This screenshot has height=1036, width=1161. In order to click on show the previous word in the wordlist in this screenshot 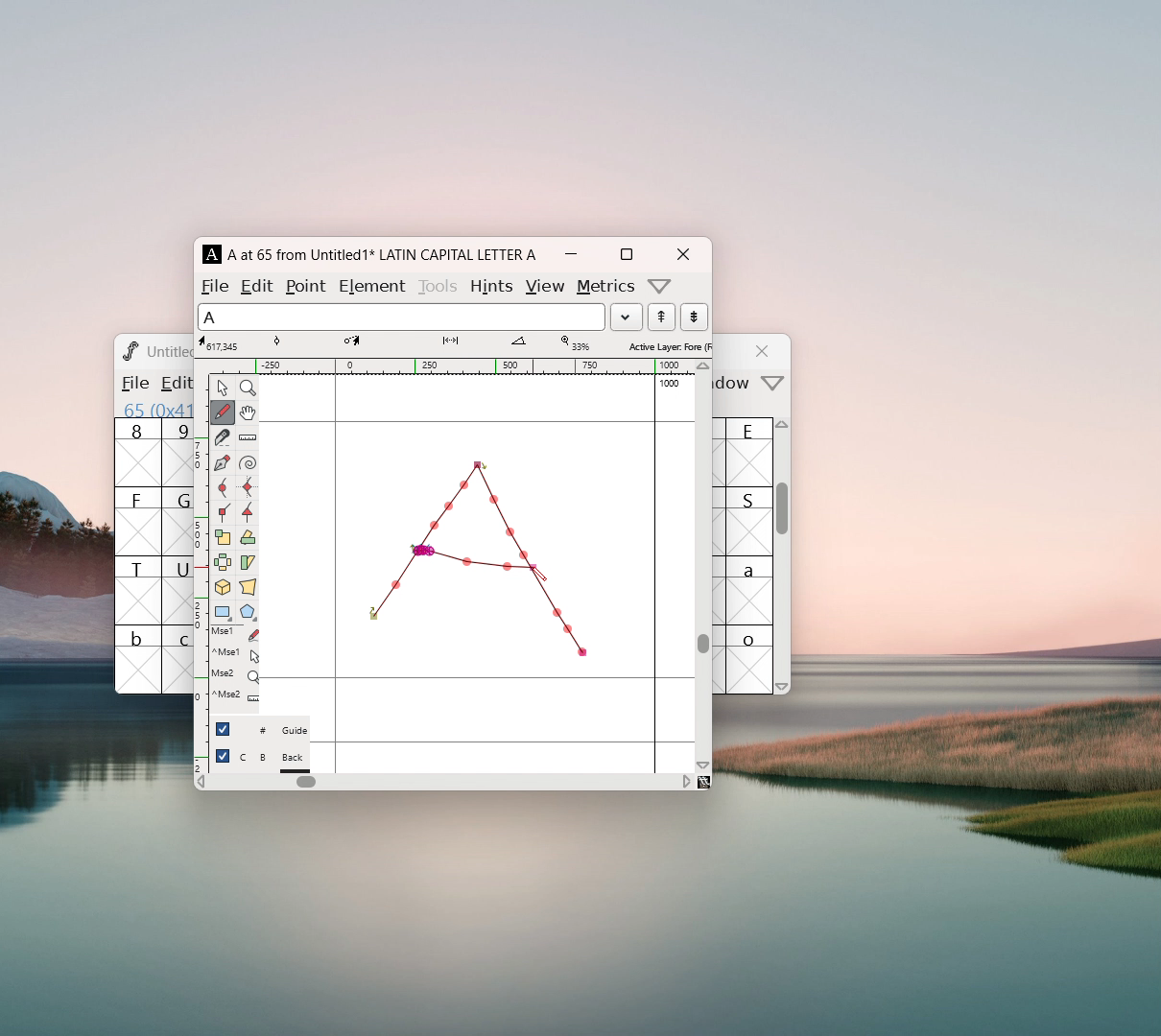, I will do `click(694, 317)`.